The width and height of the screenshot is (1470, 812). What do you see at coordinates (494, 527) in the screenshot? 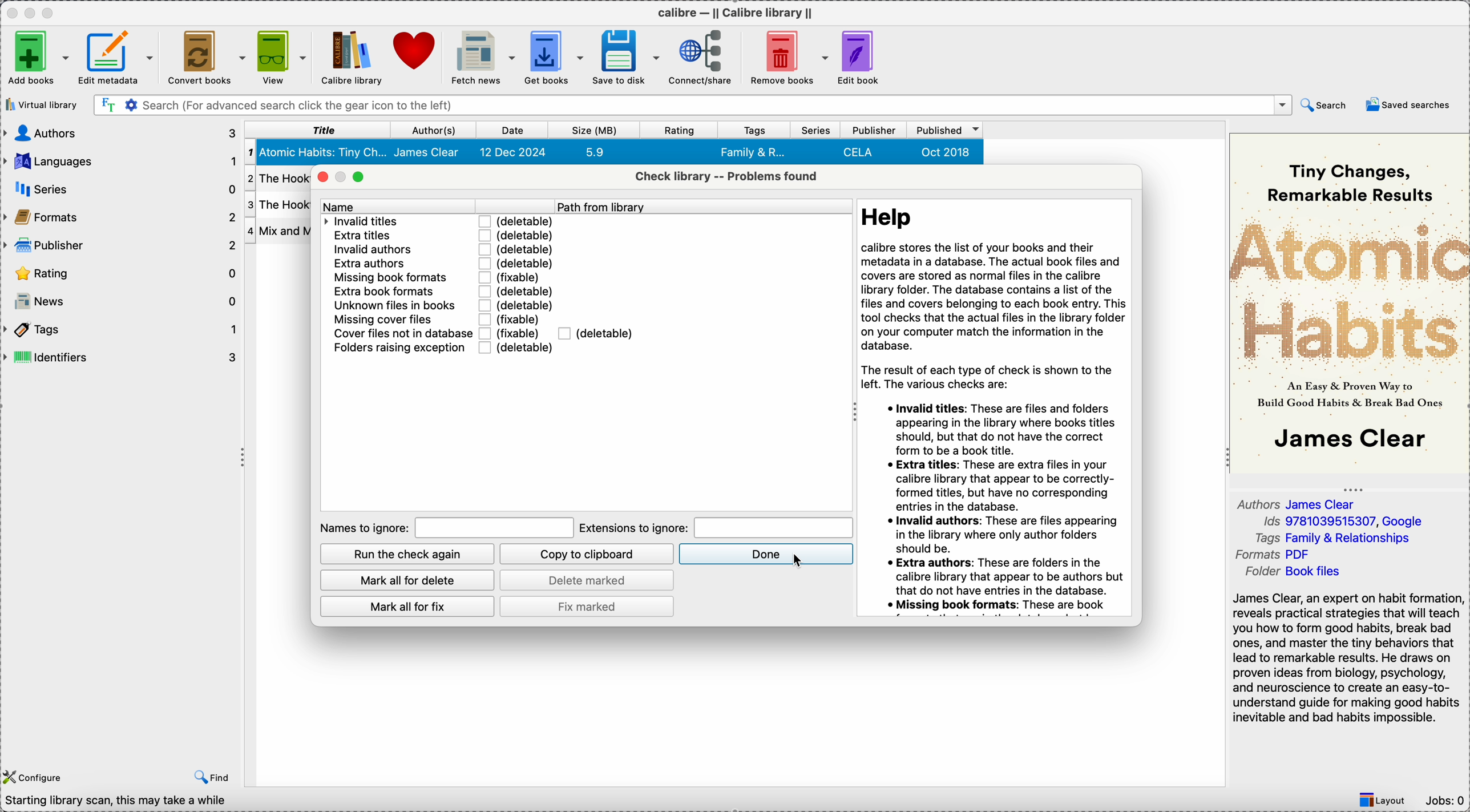
I see `add names to ignore` at bounding box center [494, 527].